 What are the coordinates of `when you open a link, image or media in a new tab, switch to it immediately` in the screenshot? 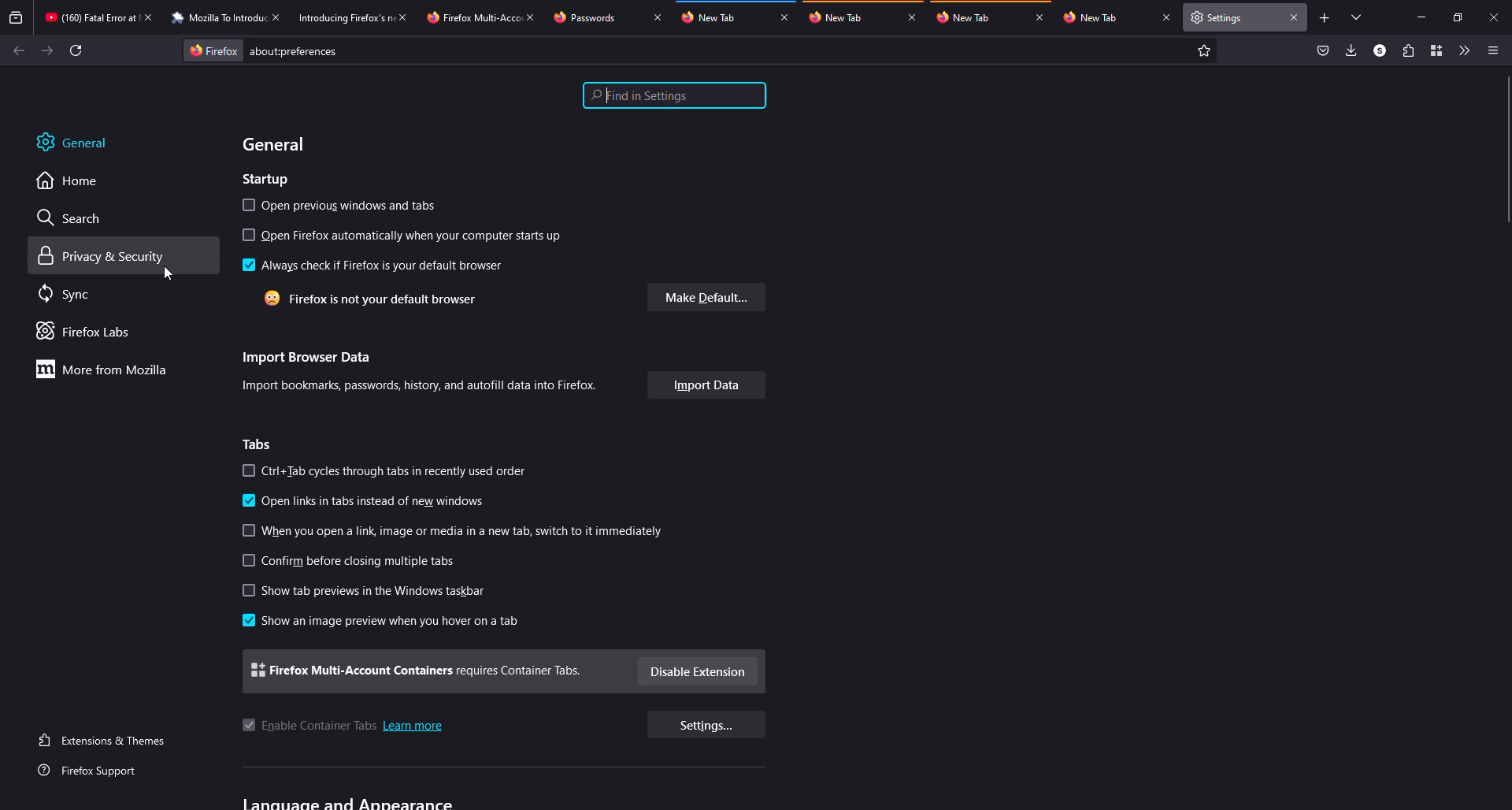 It's located at (465, 531).